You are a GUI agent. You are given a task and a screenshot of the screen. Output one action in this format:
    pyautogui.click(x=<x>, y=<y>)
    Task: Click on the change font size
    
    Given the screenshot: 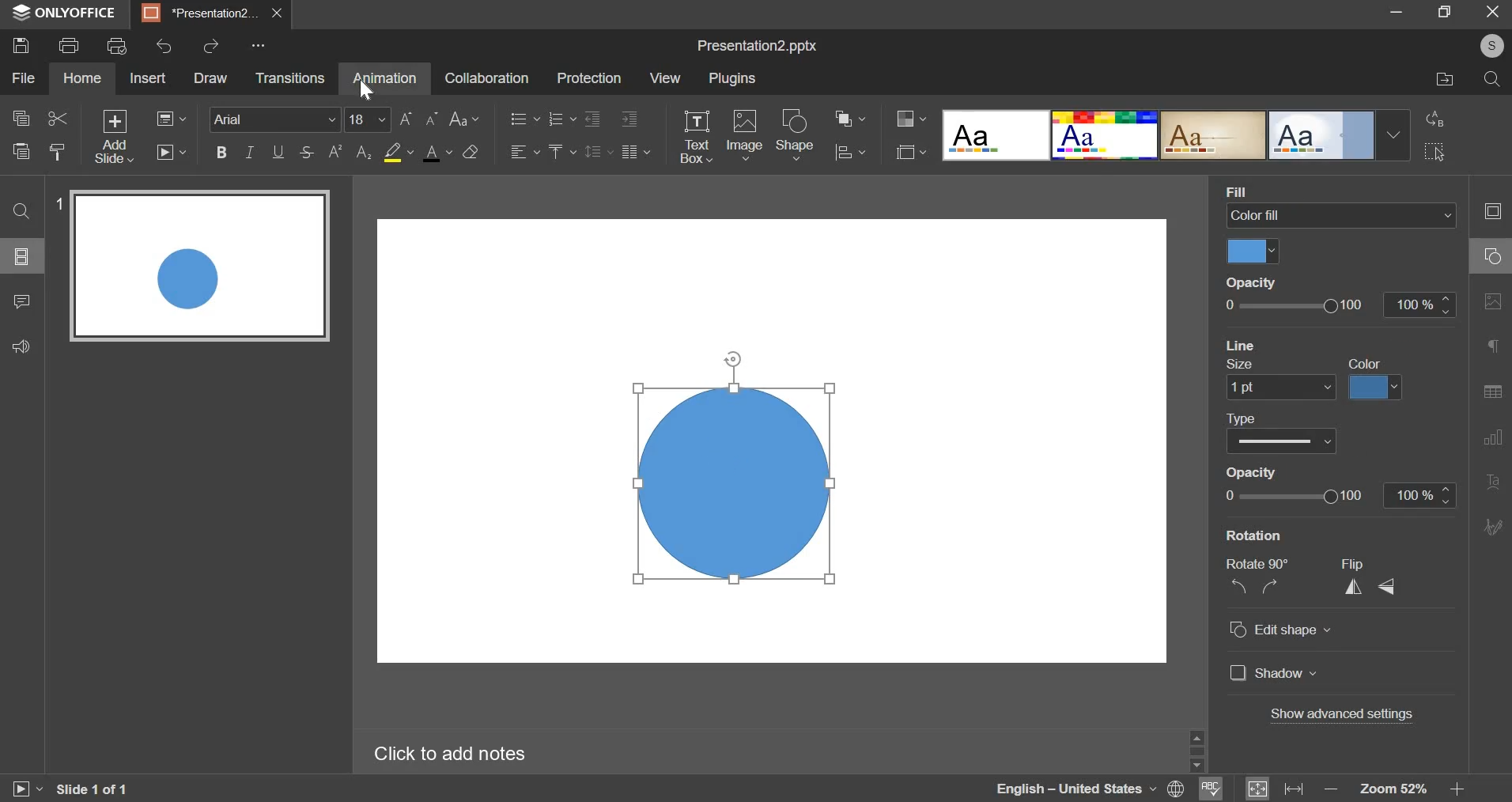 What is the action you would take?
    pyautogui.click(x=421, y=119)
    